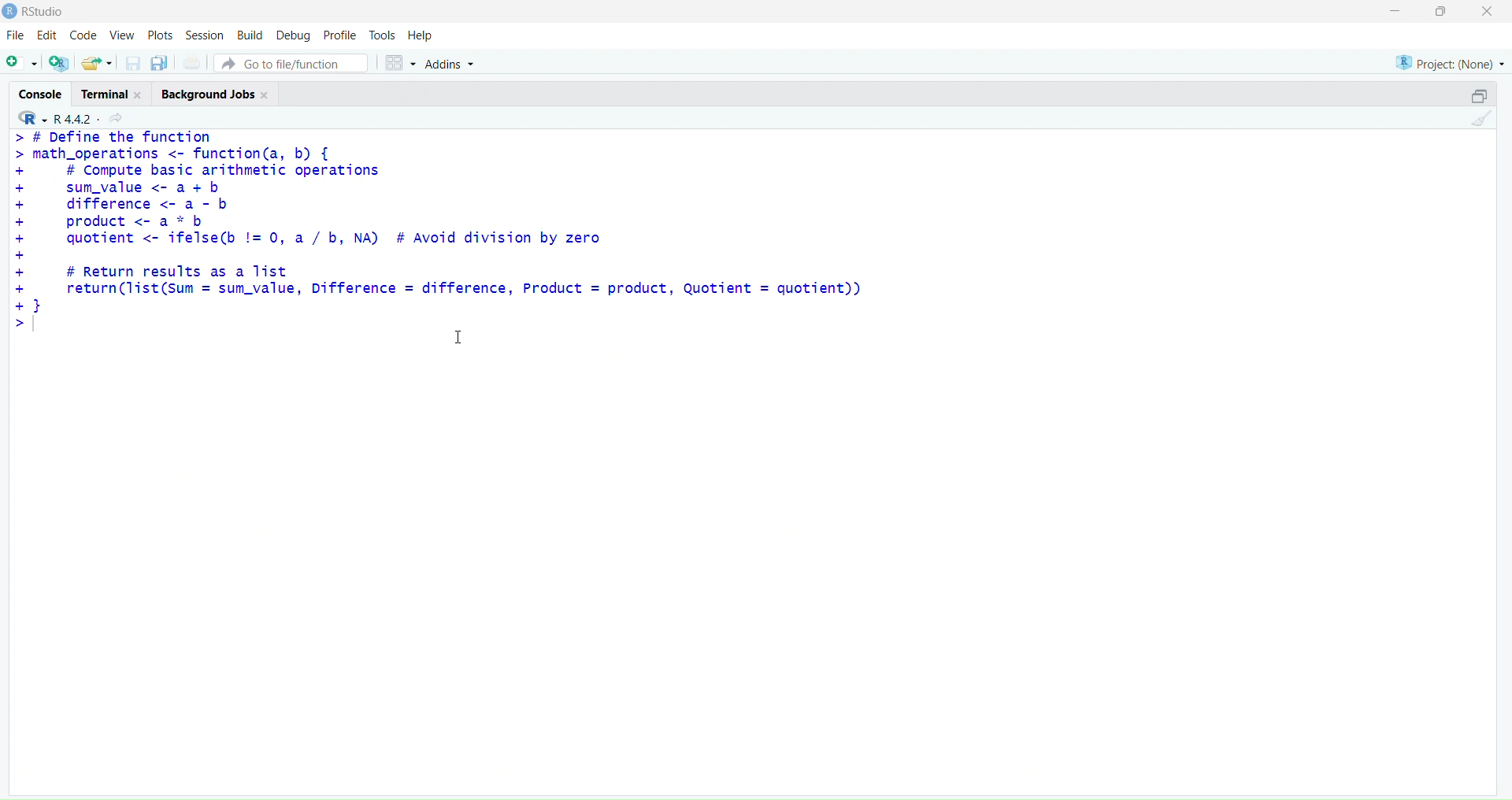  Describe the element at coordinates (202, 32) in the screenshot. I see `Session` at that location.